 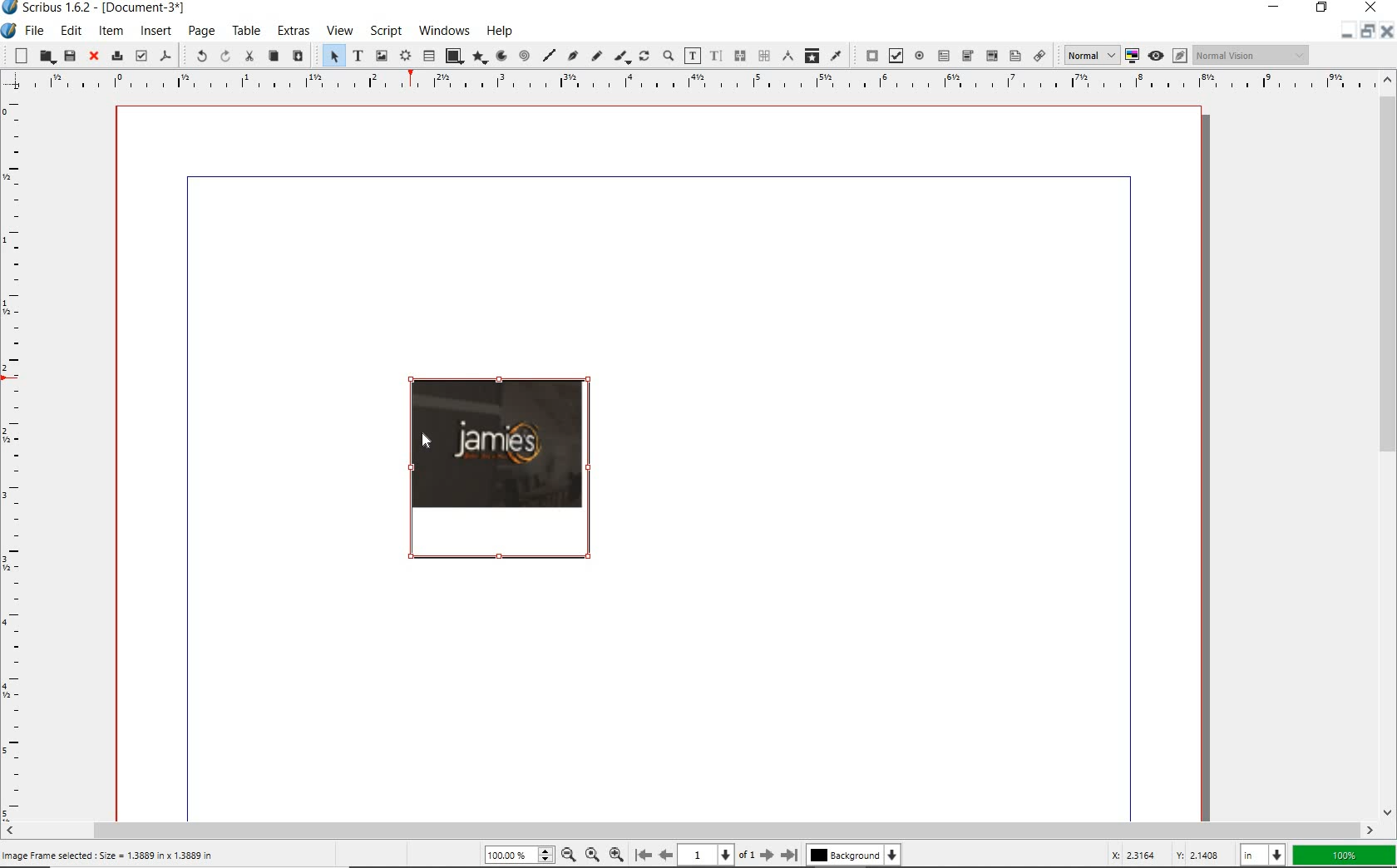 I want to click on pdf combo box, so click(x=967, y=56).